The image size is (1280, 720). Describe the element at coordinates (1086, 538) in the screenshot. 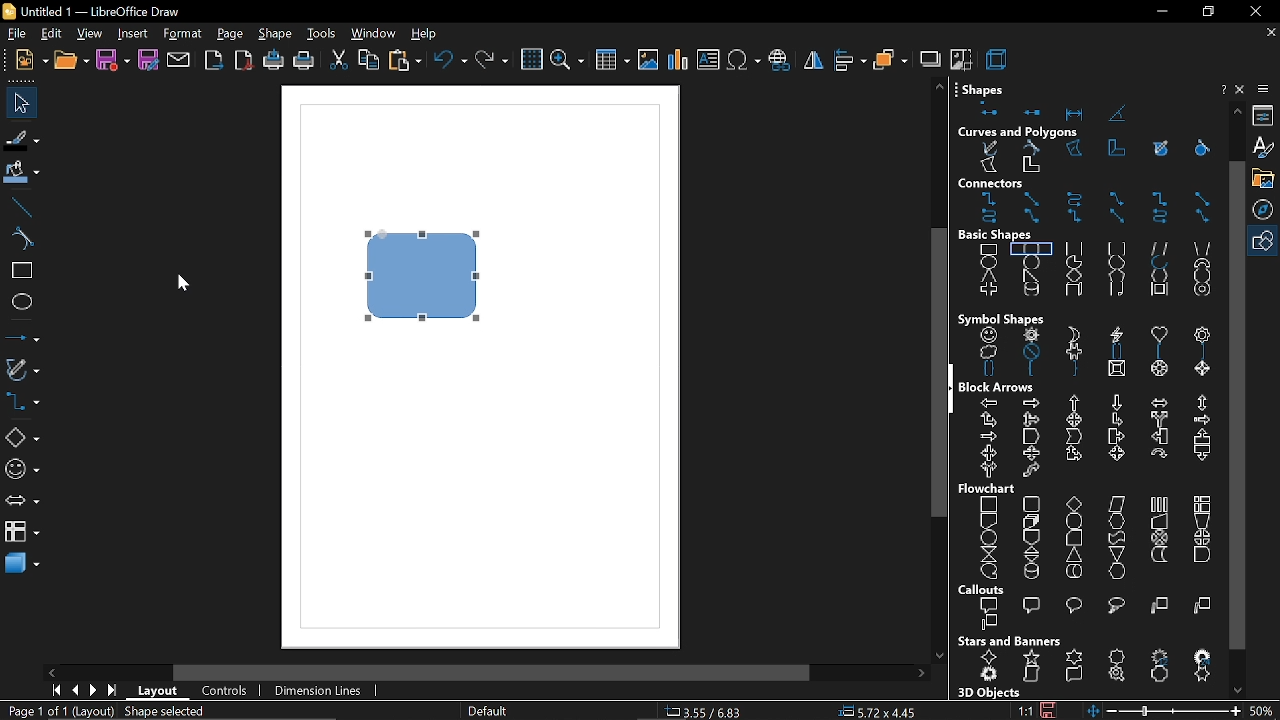

I see `flowchart` at that location.